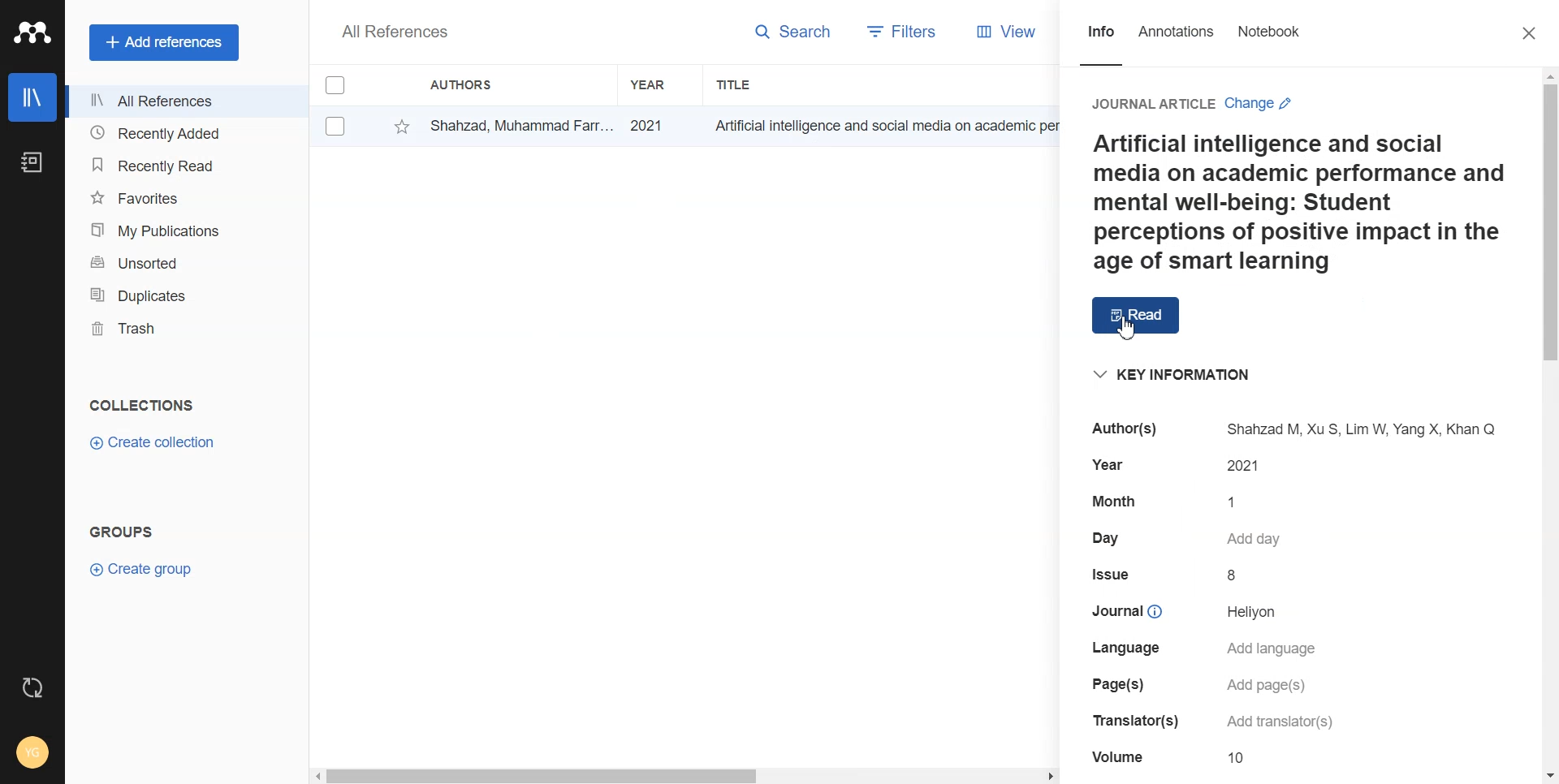 The height and width of the screenshot is (784, 1559). I want to click on Collection, so click(143, 407).